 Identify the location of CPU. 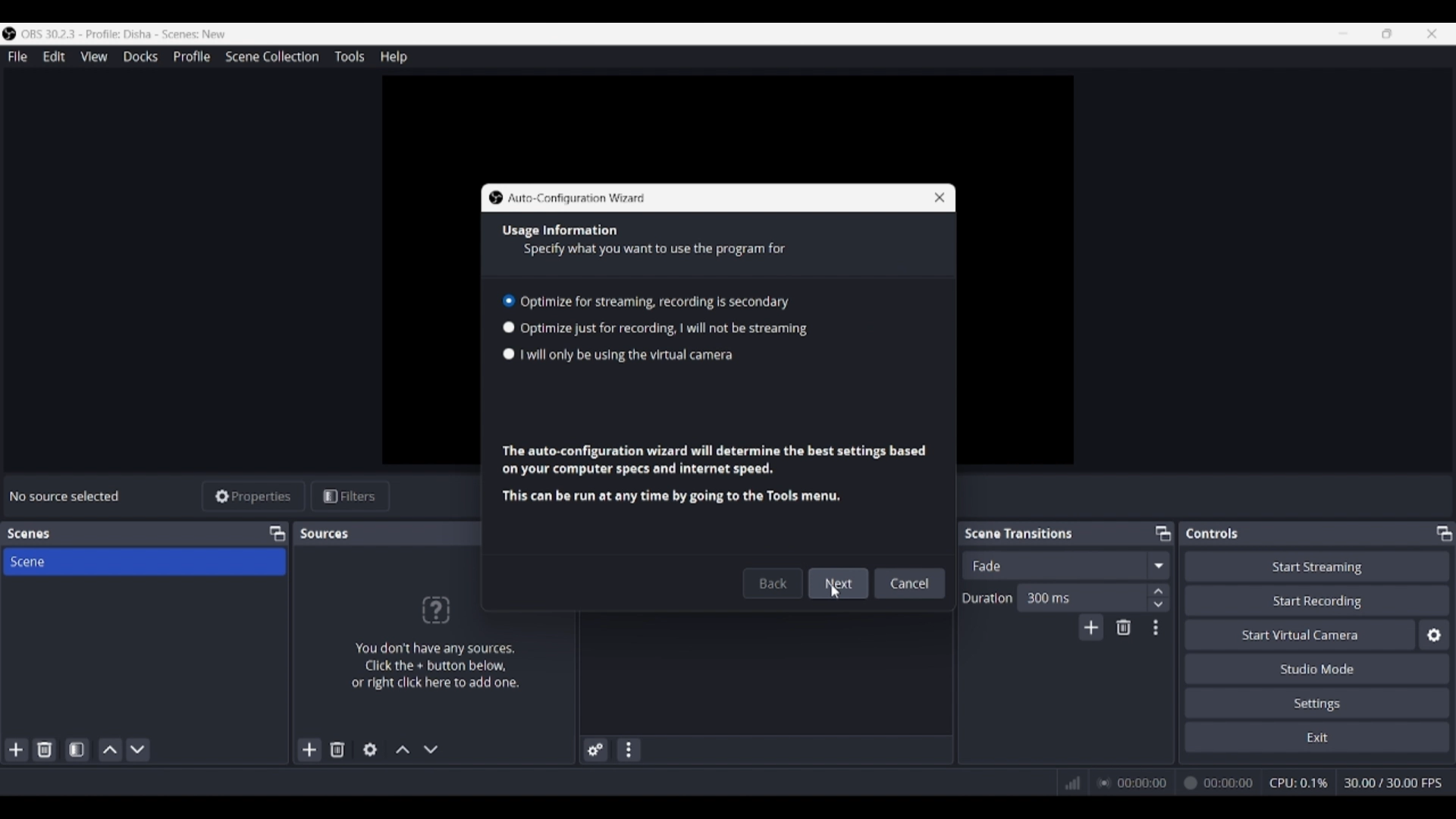
(1299, 783).